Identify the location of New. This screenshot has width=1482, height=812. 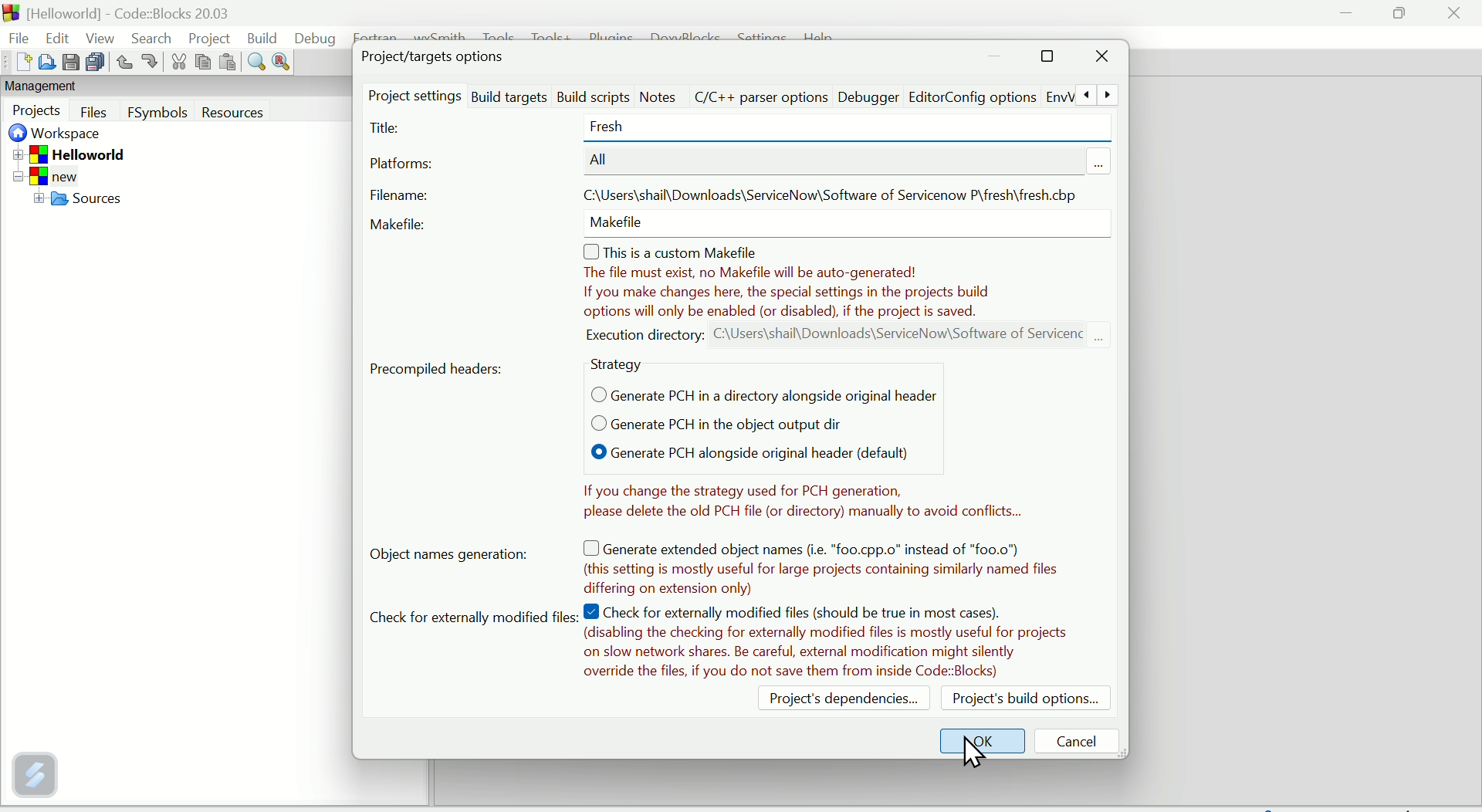
(59, 176).